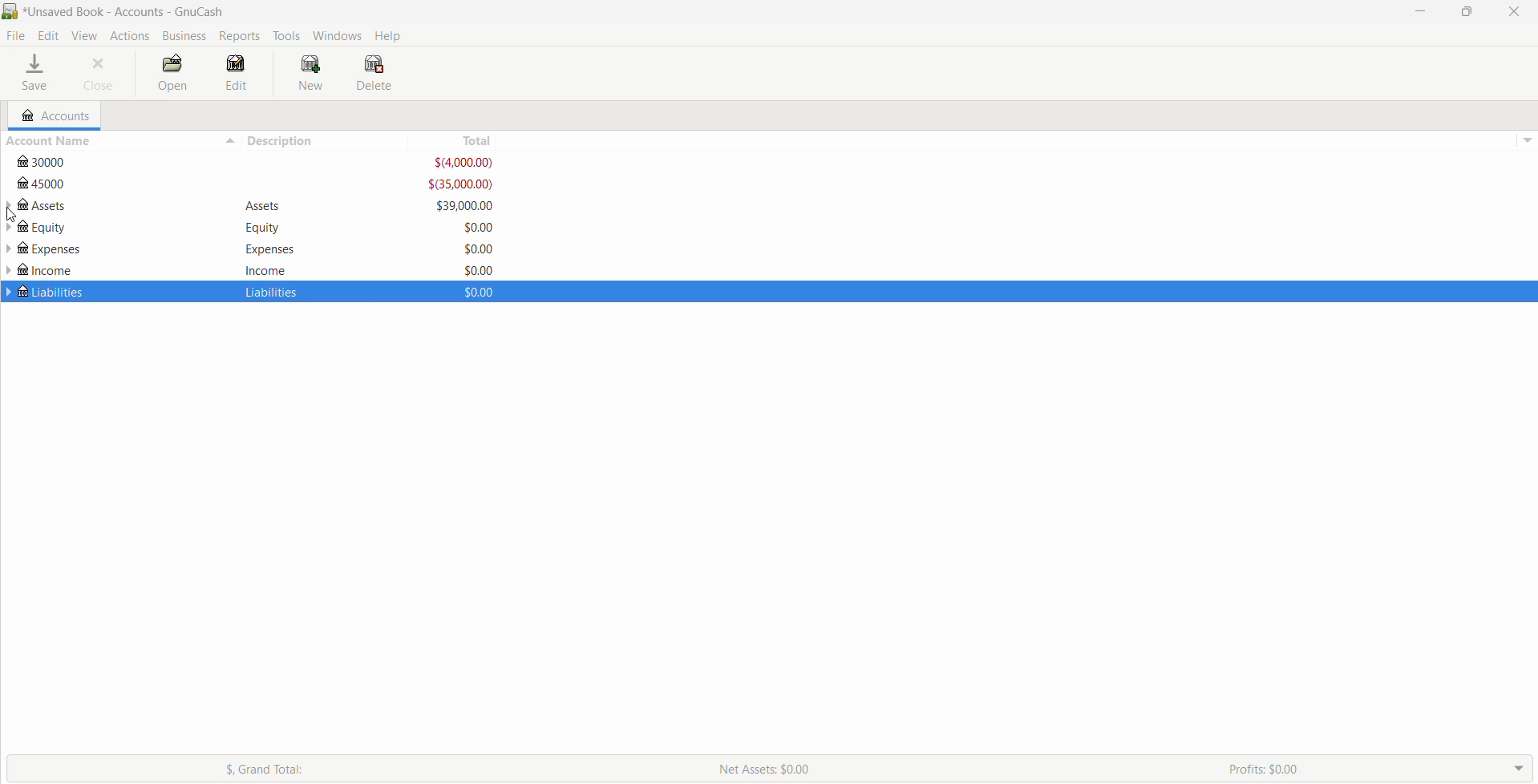  What do you see at coordinates (49, 34) in the screenshot?
I see `Edit` at bounding box center [49, 34].